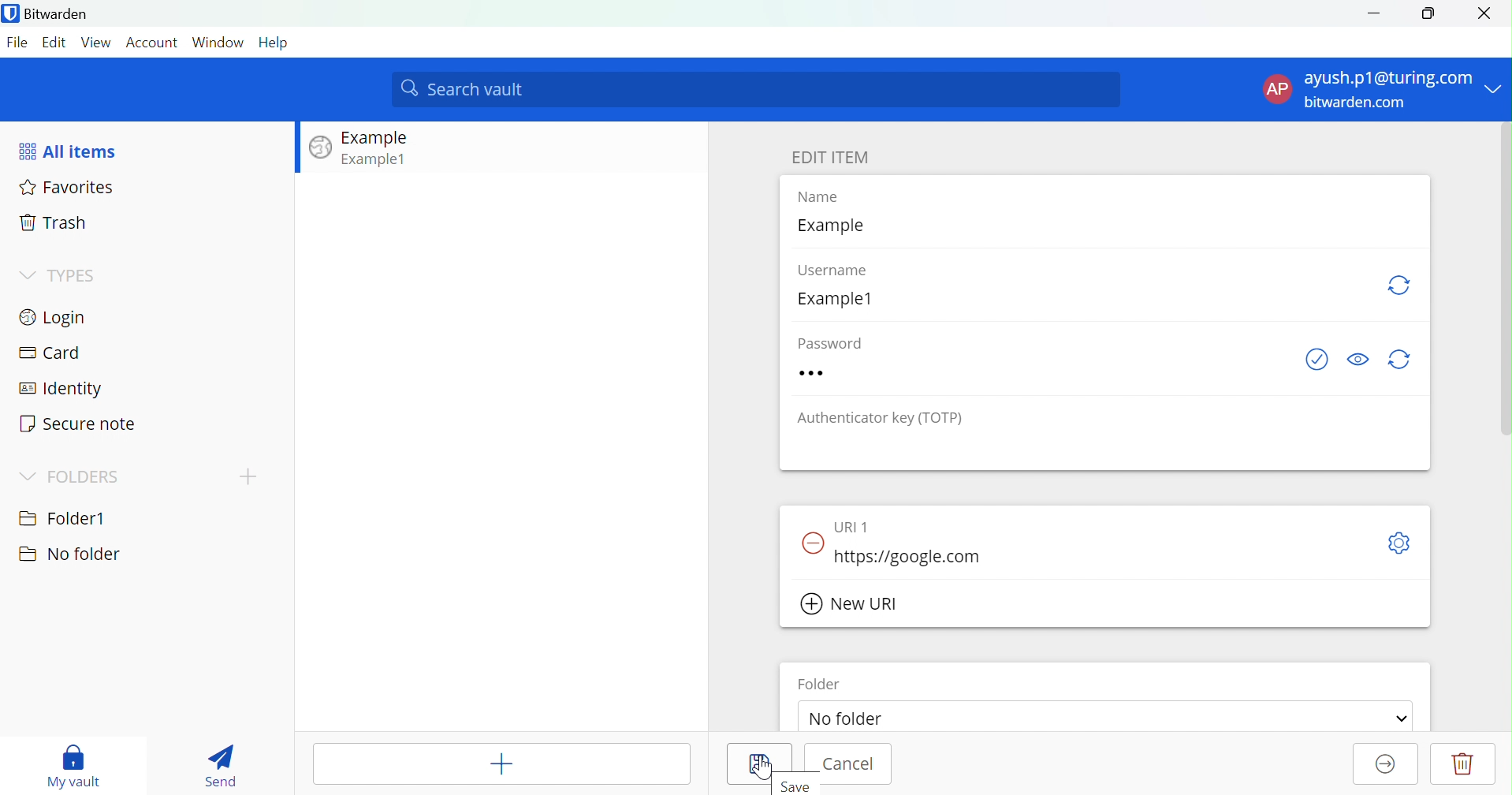 This screenshot has height=795, width=1512. Describe the element at coordinates (843, 299) in the screenshot. I see `Example1` at that location.